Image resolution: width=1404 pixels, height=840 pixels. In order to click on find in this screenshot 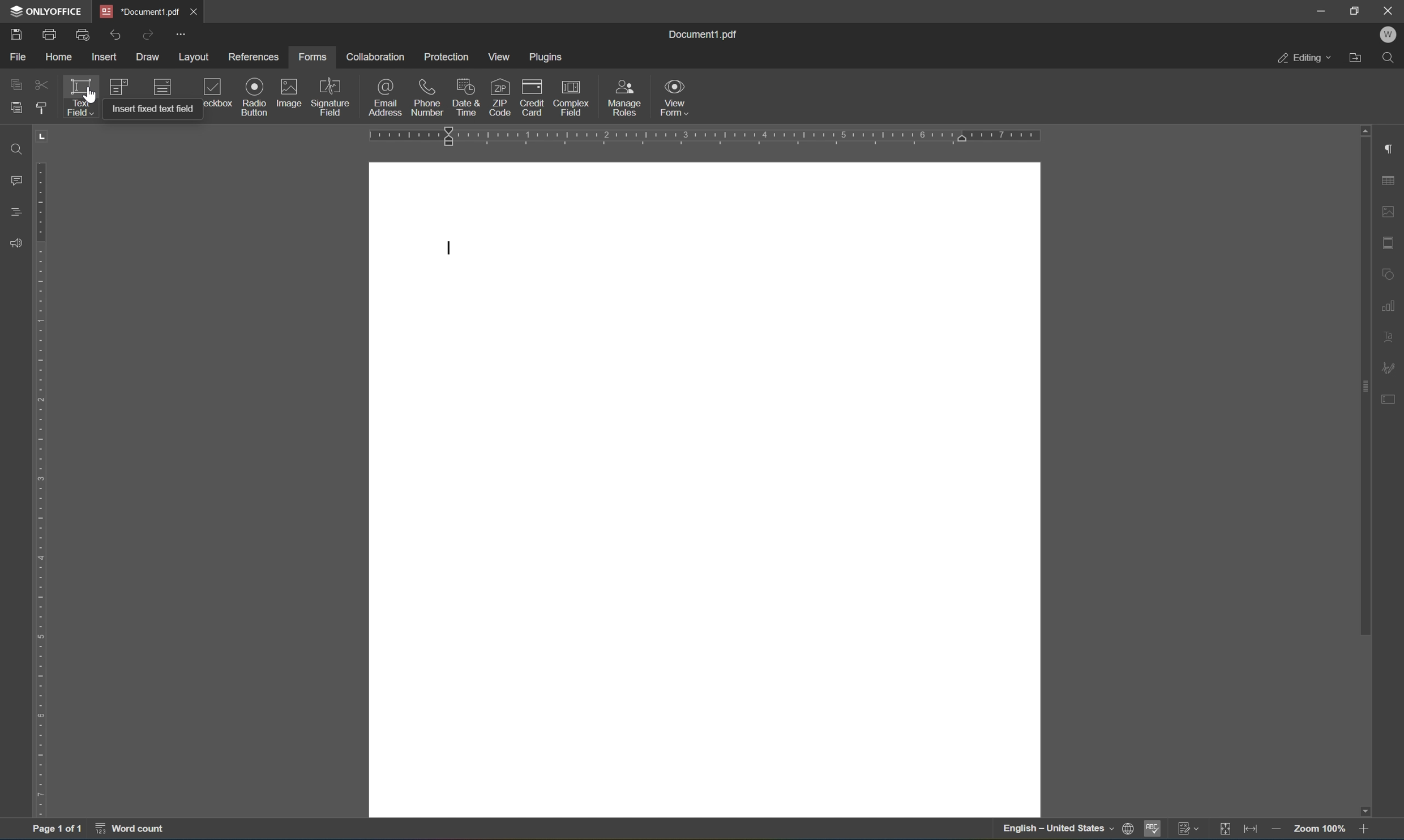, I will do `click(1390, 58)`.